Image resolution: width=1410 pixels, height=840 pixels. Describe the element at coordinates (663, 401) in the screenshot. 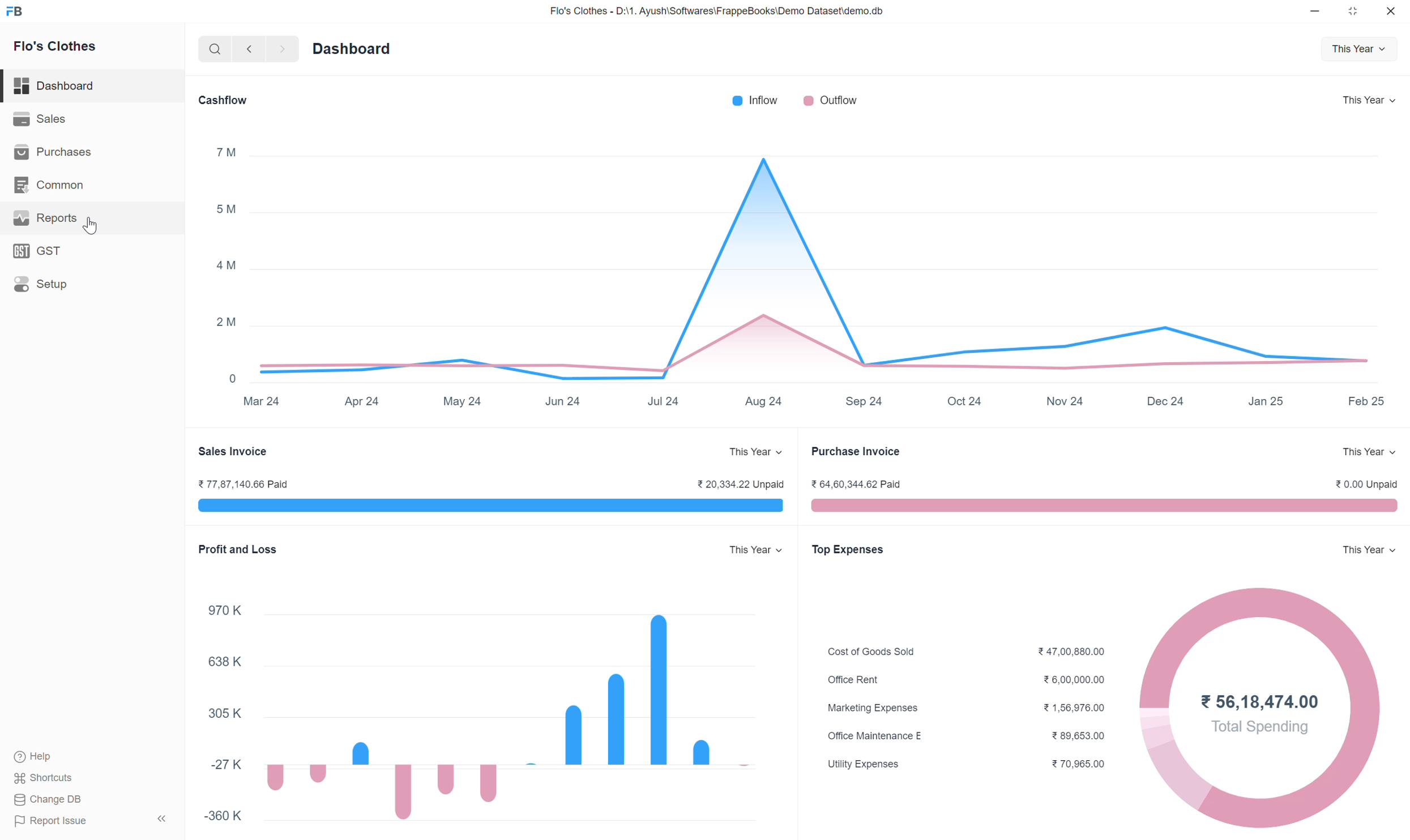

I see `jul 24` at that location.